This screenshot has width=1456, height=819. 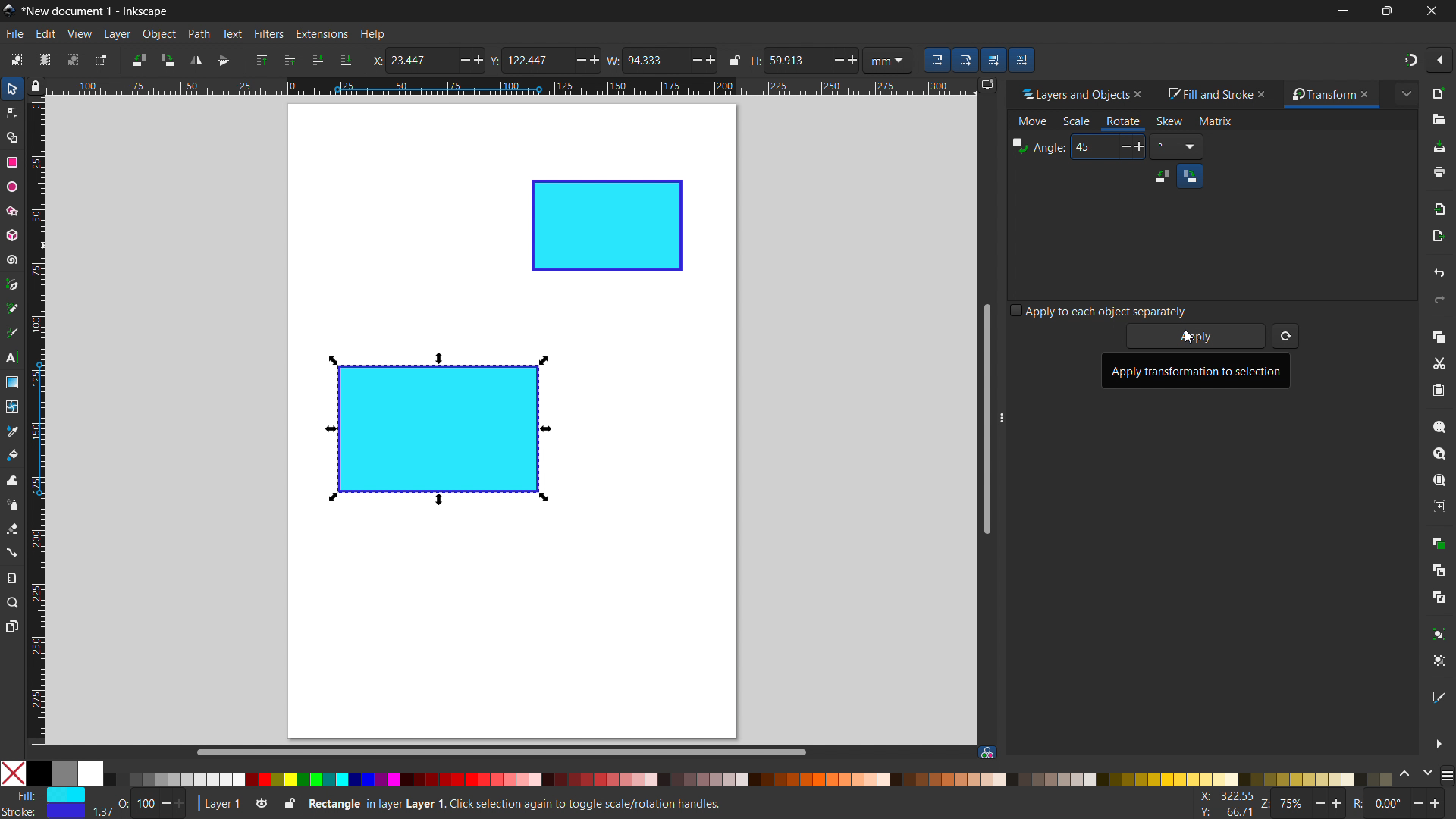 I want to click on 45, so click(x=1107, y=146).